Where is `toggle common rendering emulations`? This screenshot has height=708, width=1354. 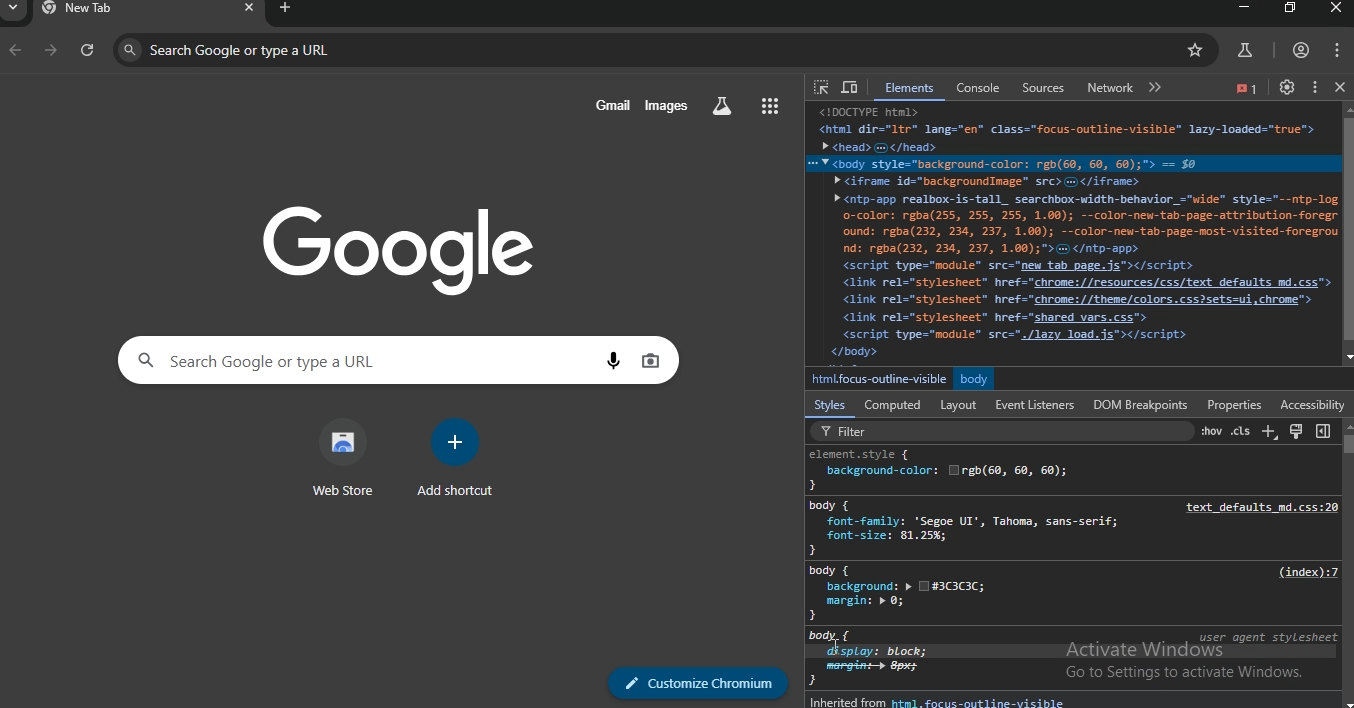 toggle common rendering emulations is located at coordinates (1292, 433).